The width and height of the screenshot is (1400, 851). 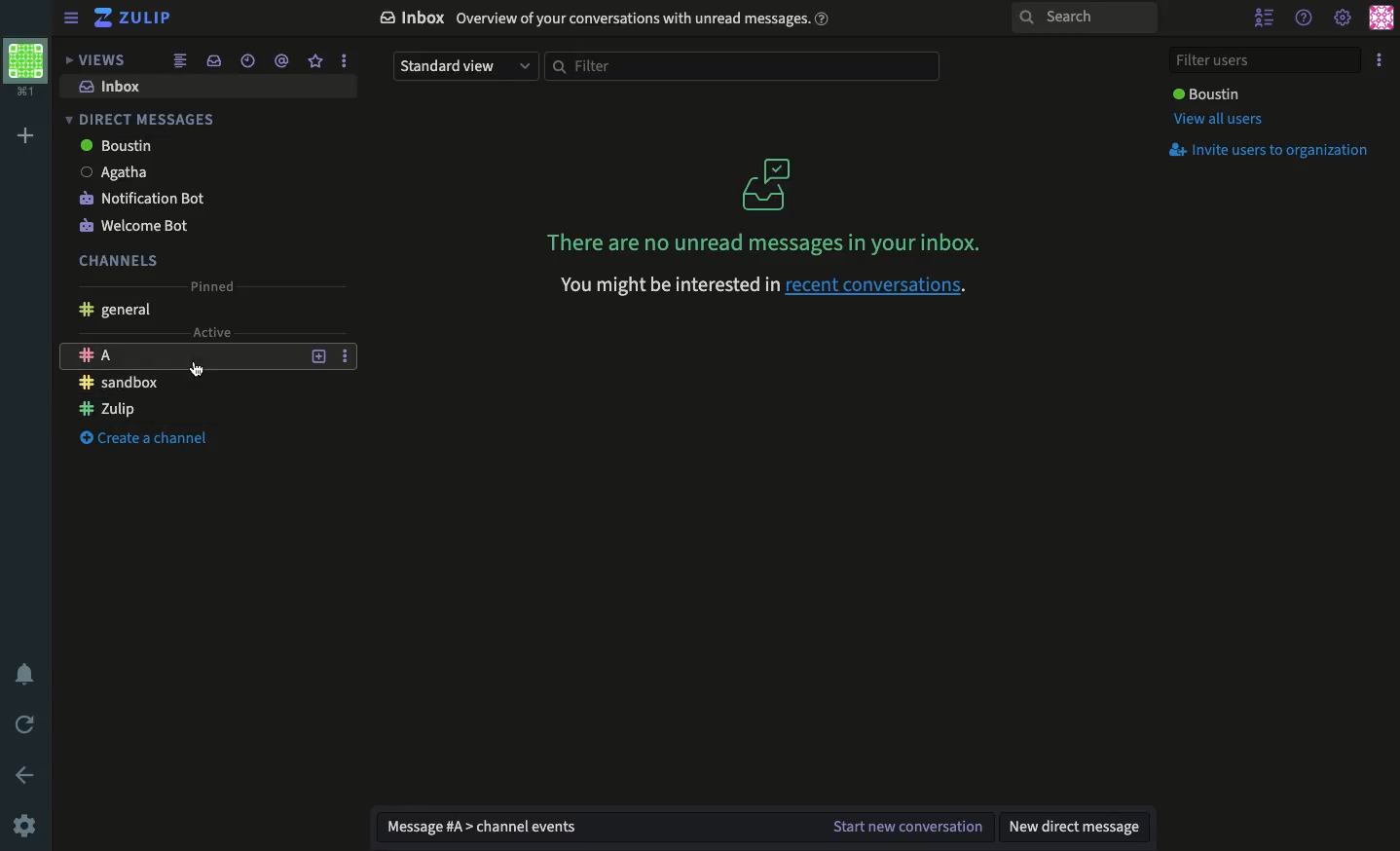 What do you see at coordinates (210, 59) in the screenshot?
I see `Inbox` at bounding box center [210, 59].